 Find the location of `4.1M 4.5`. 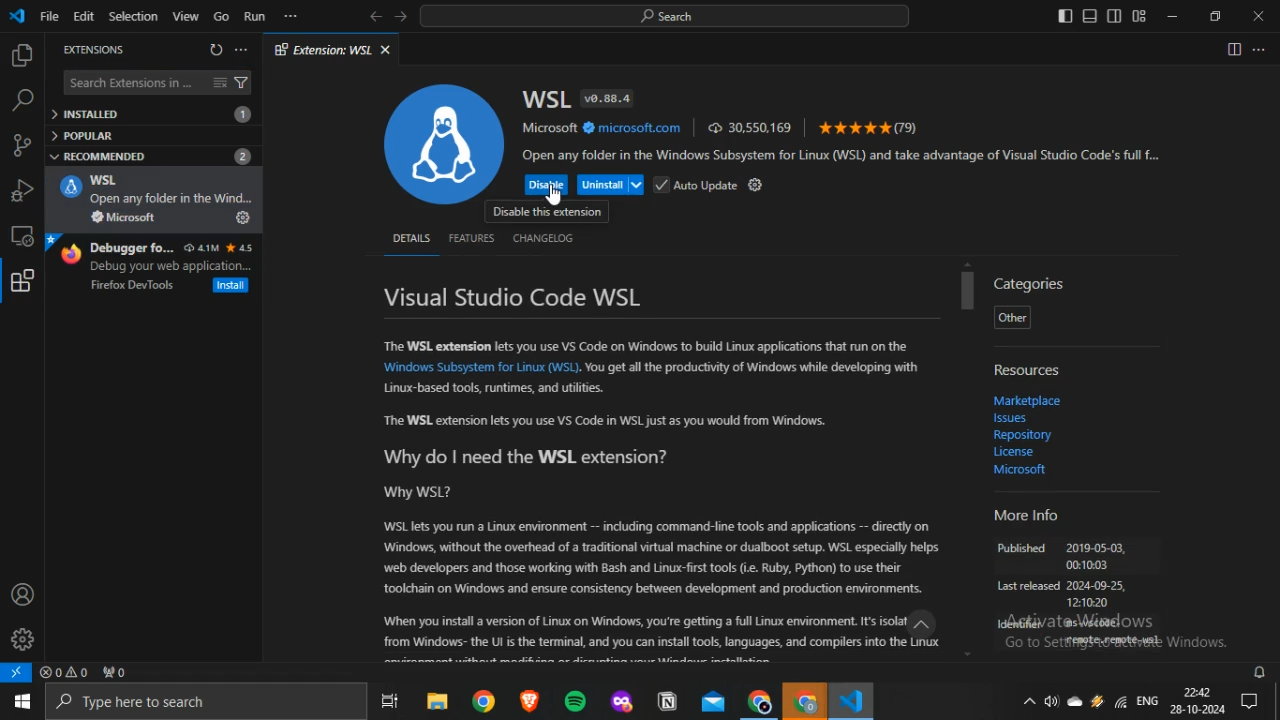

4.1M 4.5 is located at coordinates (219, 248).